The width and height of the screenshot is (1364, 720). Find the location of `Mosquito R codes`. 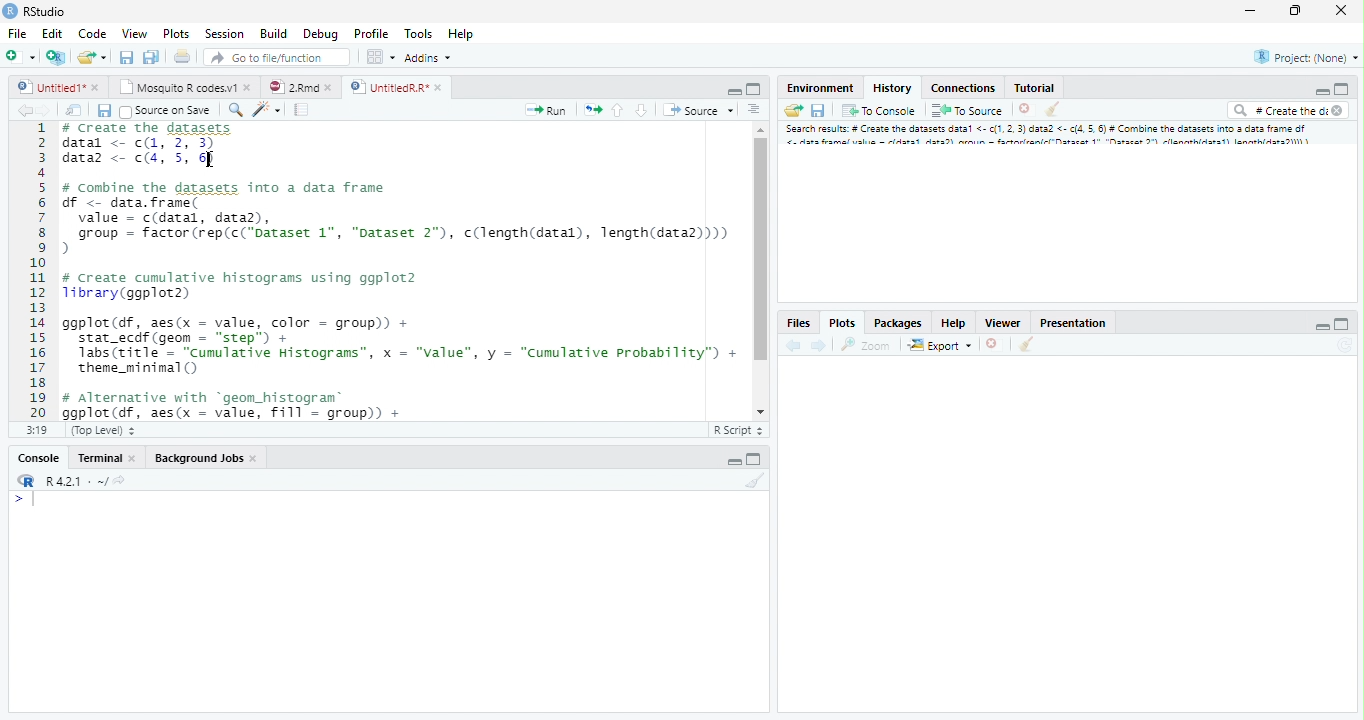

Mosquito R codes is located at coordinates (188, 87).